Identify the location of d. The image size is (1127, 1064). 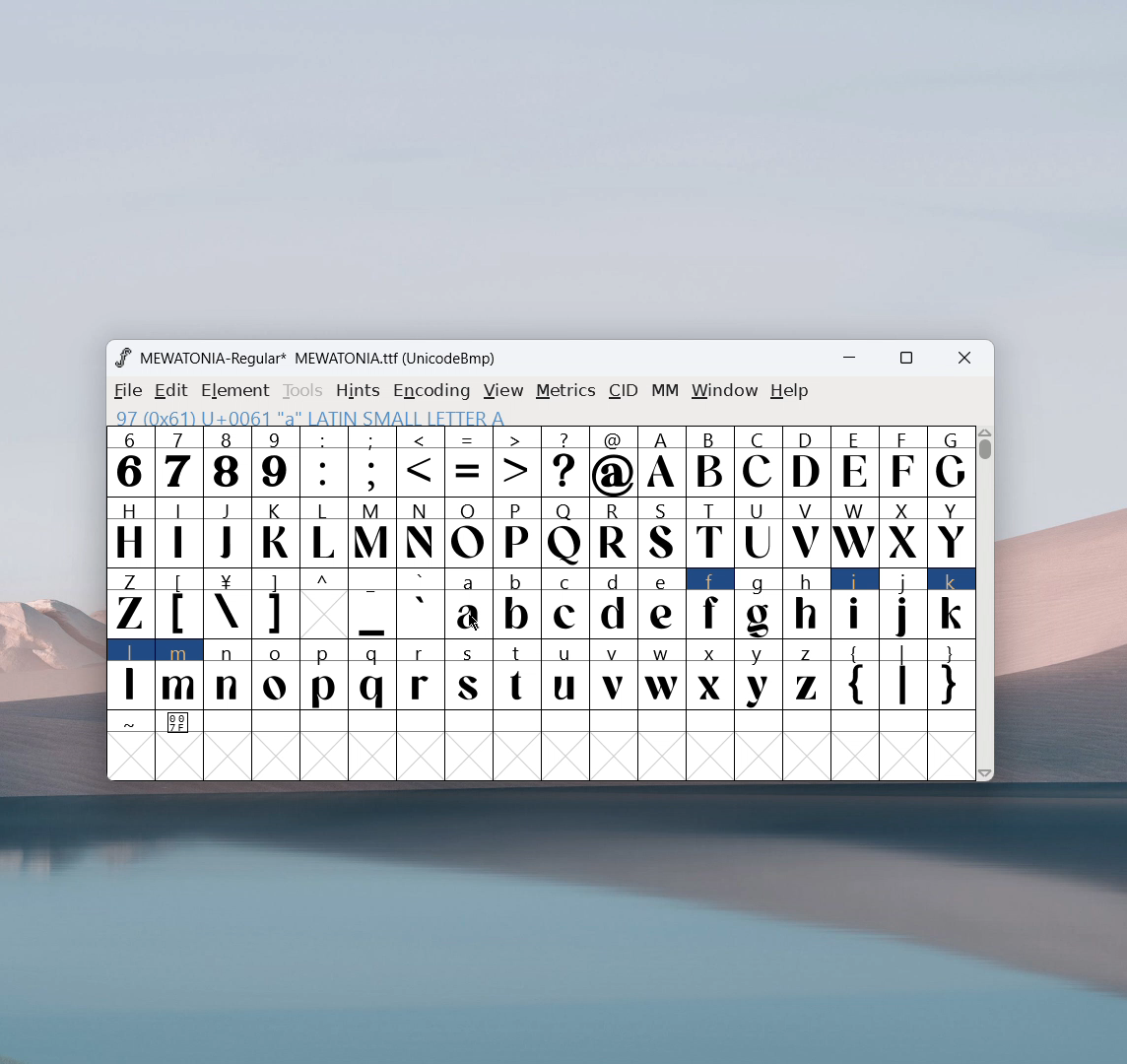
(613, 604).